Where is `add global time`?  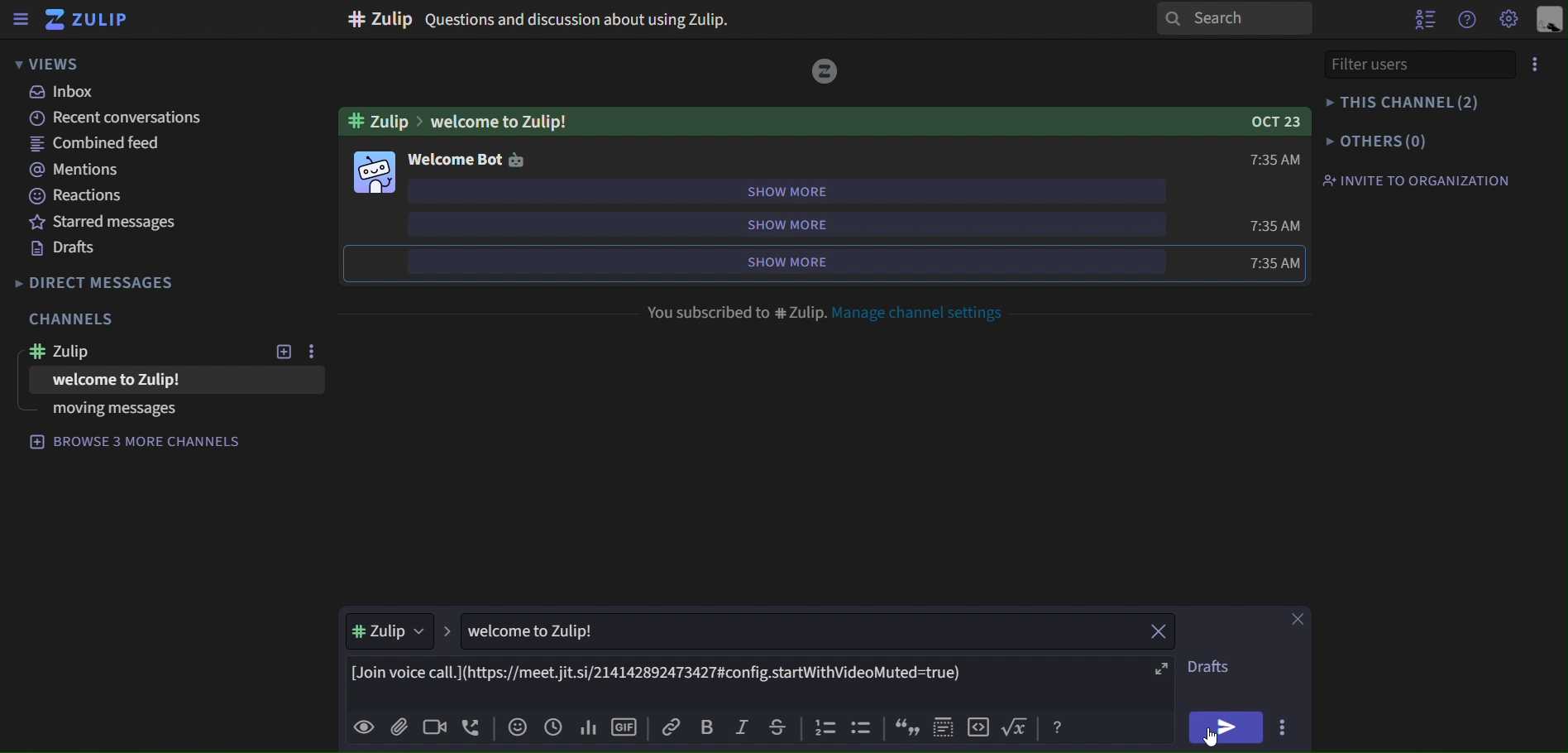
add global time is located at coordinates (552, 727).